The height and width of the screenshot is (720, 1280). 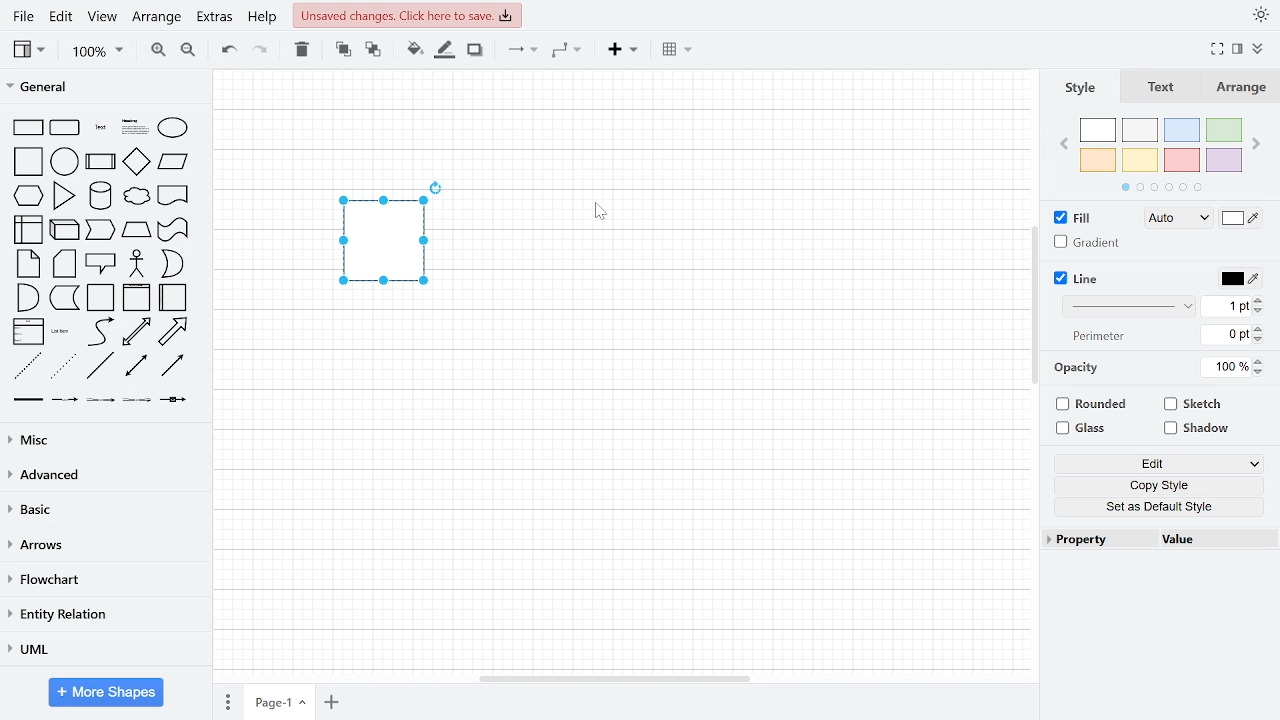 I want to click on insert, so click(x=622, y=50).